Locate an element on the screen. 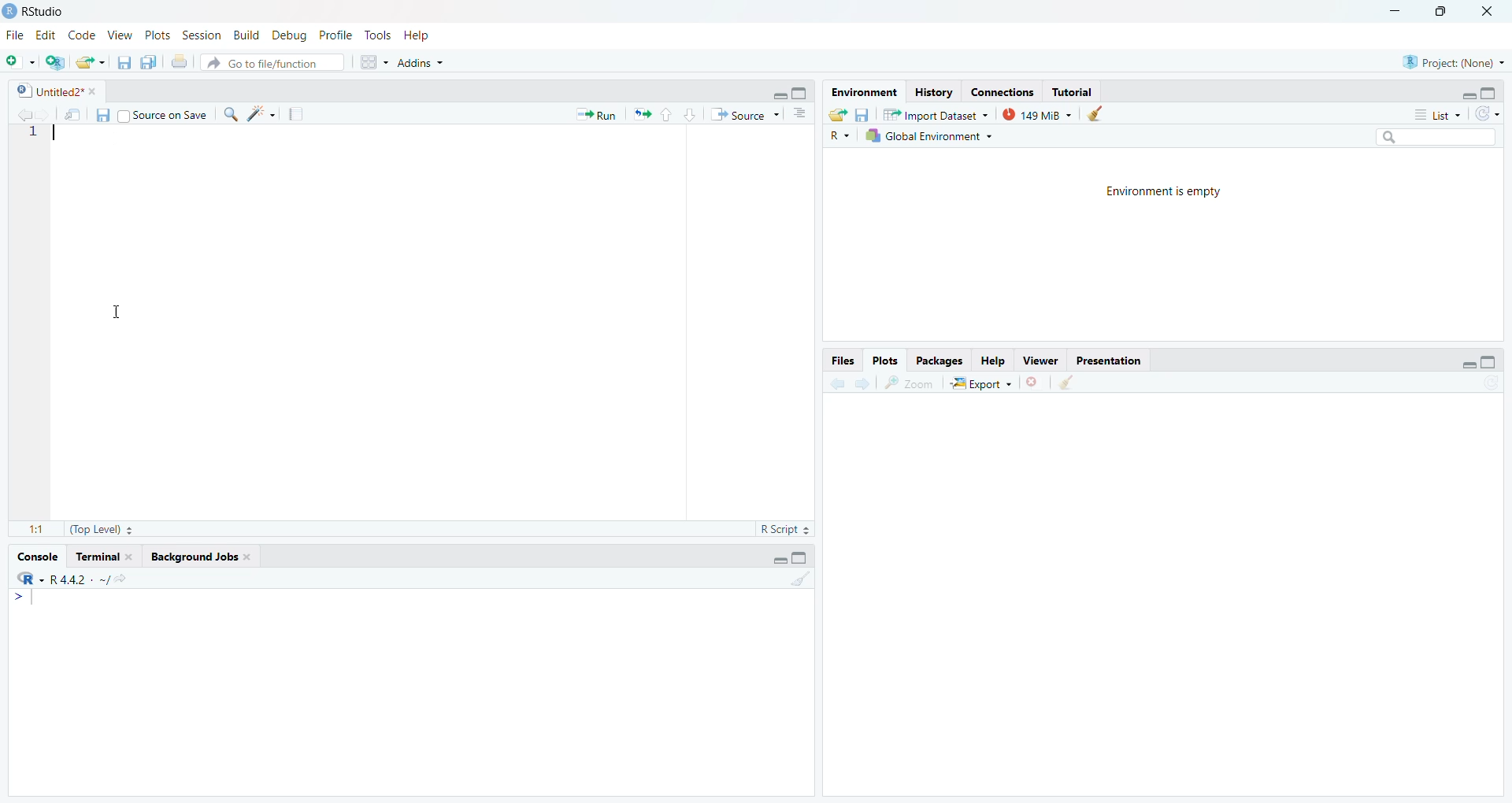  Environment is empty is located at coordinates (1173, 192).